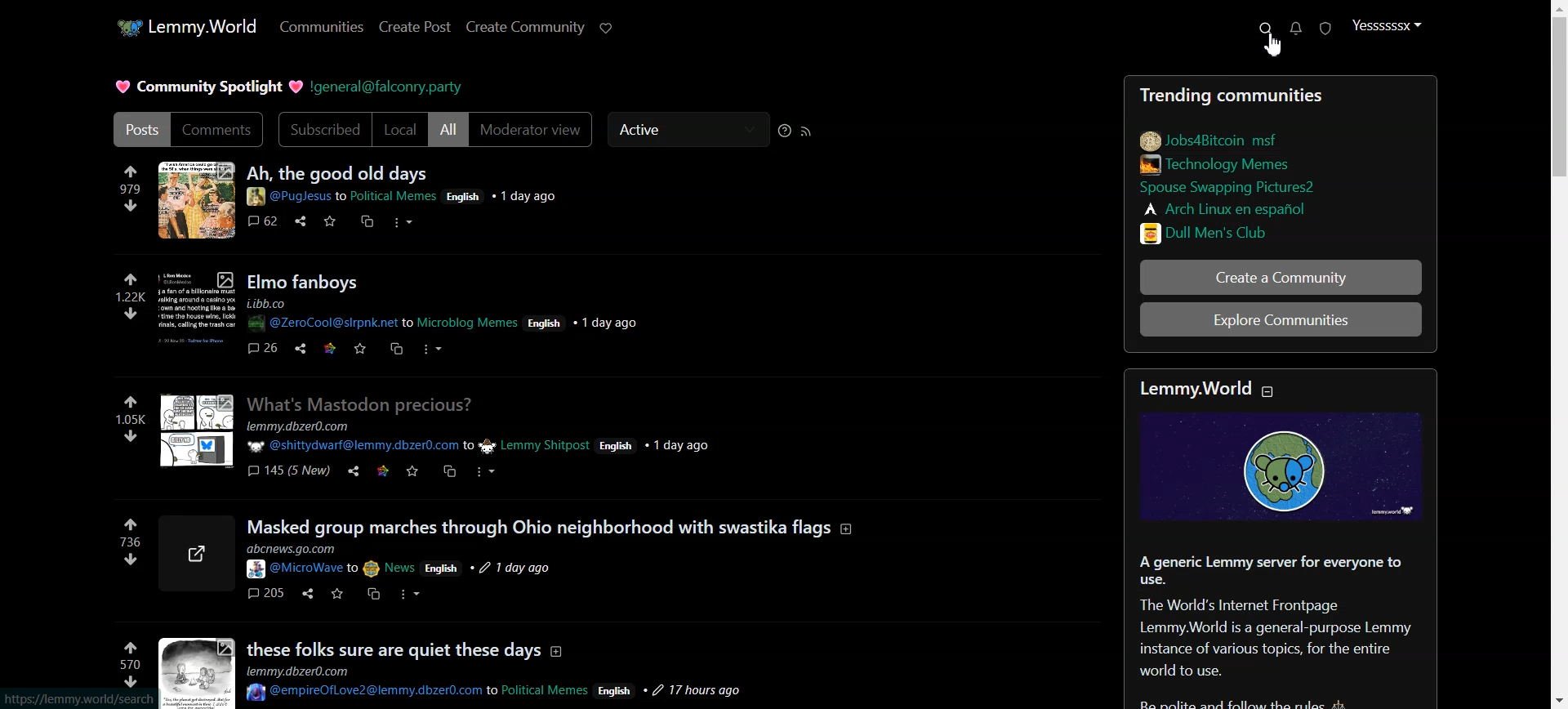 This screenshot has height=709, width=1568. Describe the element at coordinates (1235, 167) in the screenshot. I see `link` at that location.